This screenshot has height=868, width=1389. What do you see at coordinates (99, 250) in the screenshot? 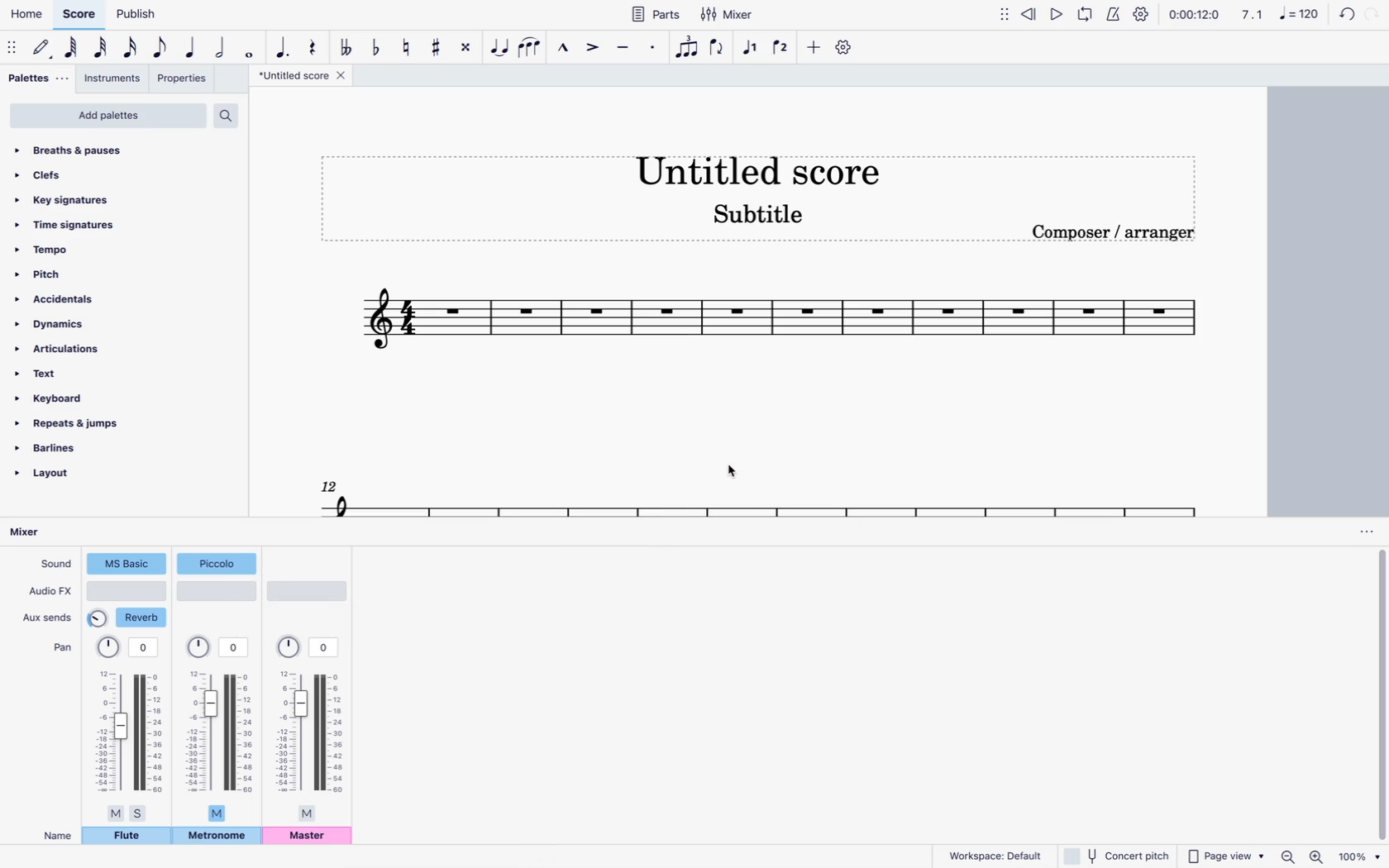
I see `tempo` at bounding box center [99, 250].